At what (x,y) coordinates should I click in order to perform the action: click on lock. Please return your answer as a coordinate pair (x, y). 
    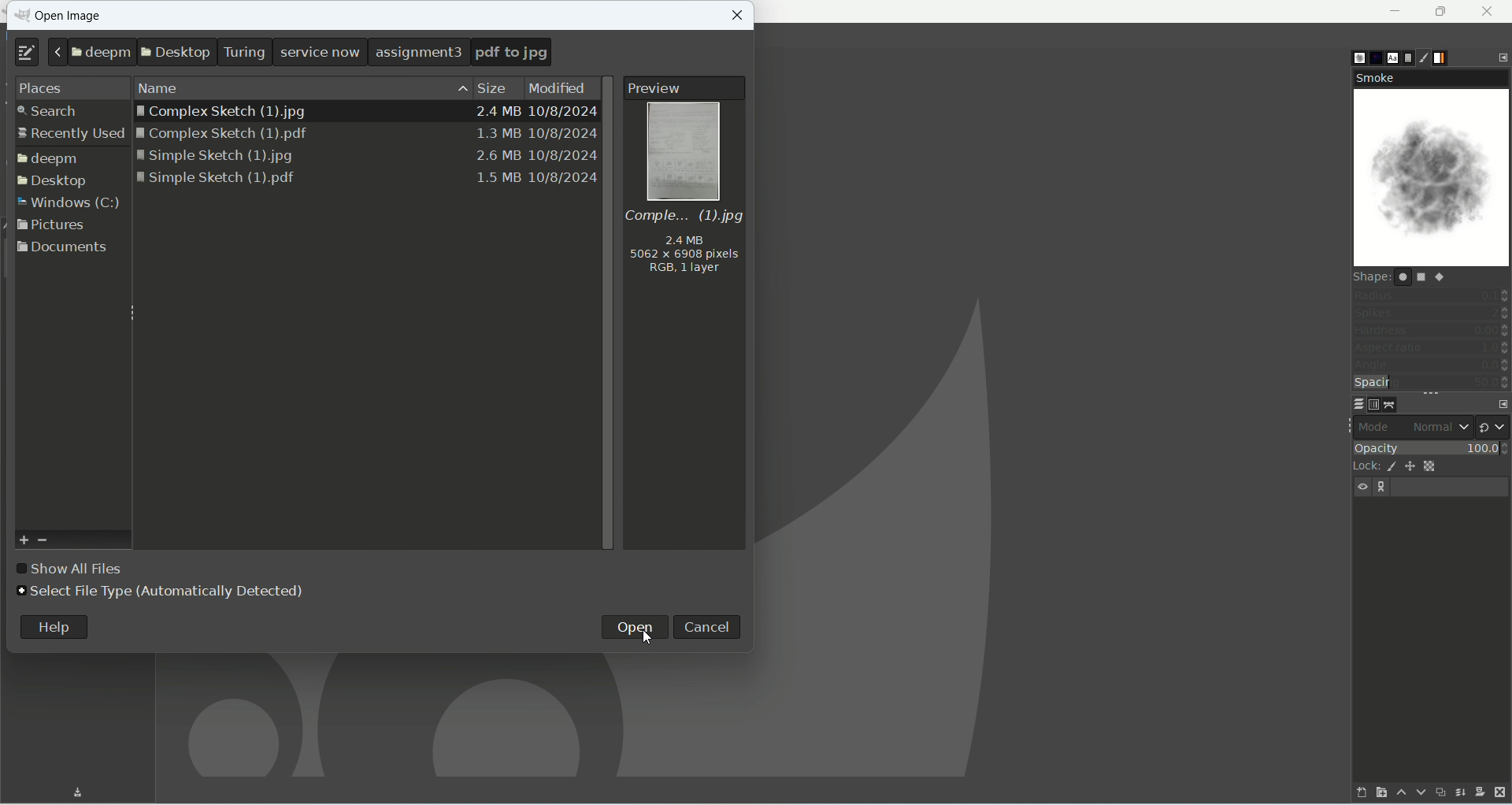
    Looking at the image, I should click on (1362, 467).